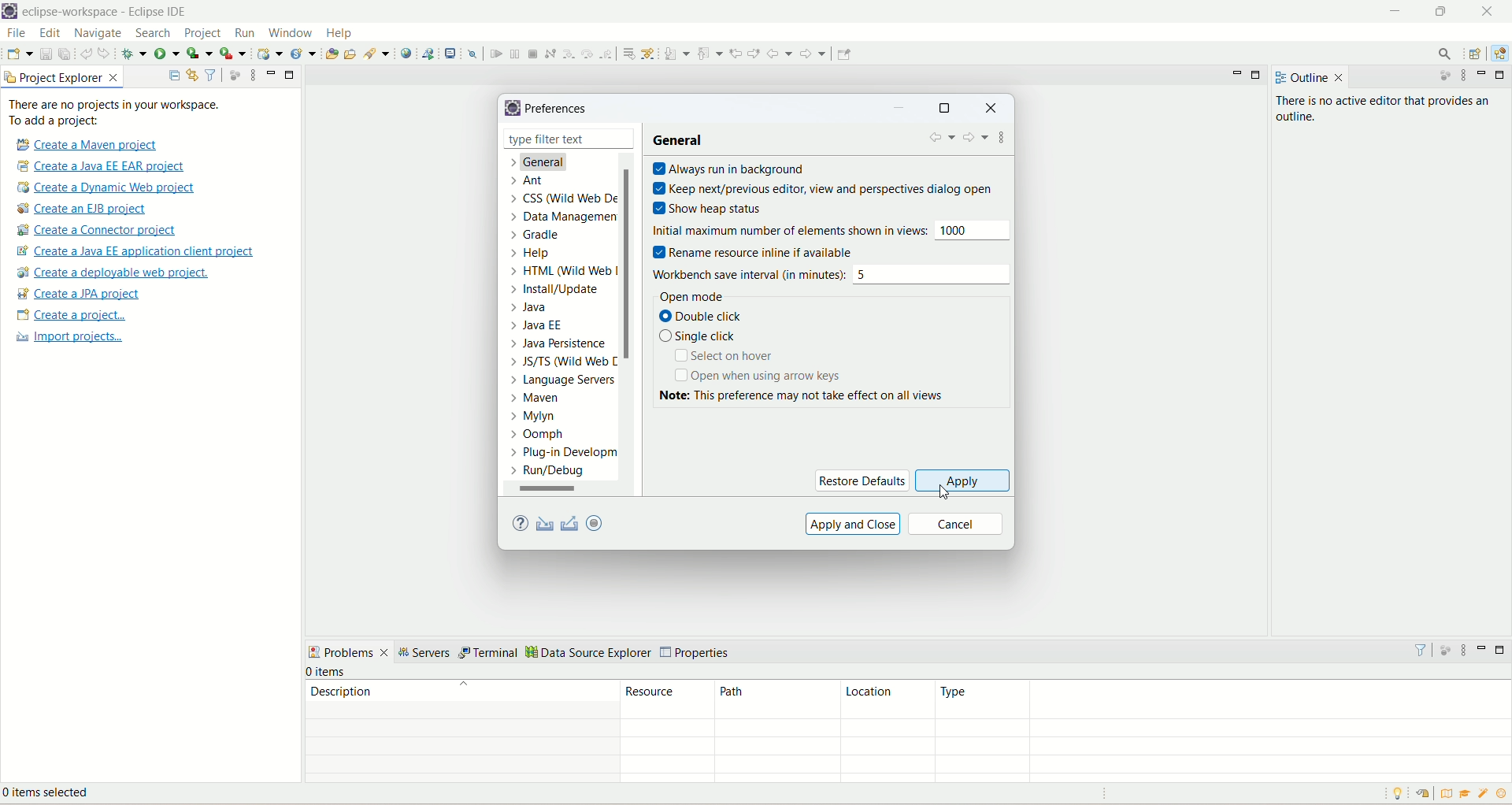  What do you see at coordinates (1467, 794) in the screenshot?
I see `tutorials` at bounding box center [1467, 794].